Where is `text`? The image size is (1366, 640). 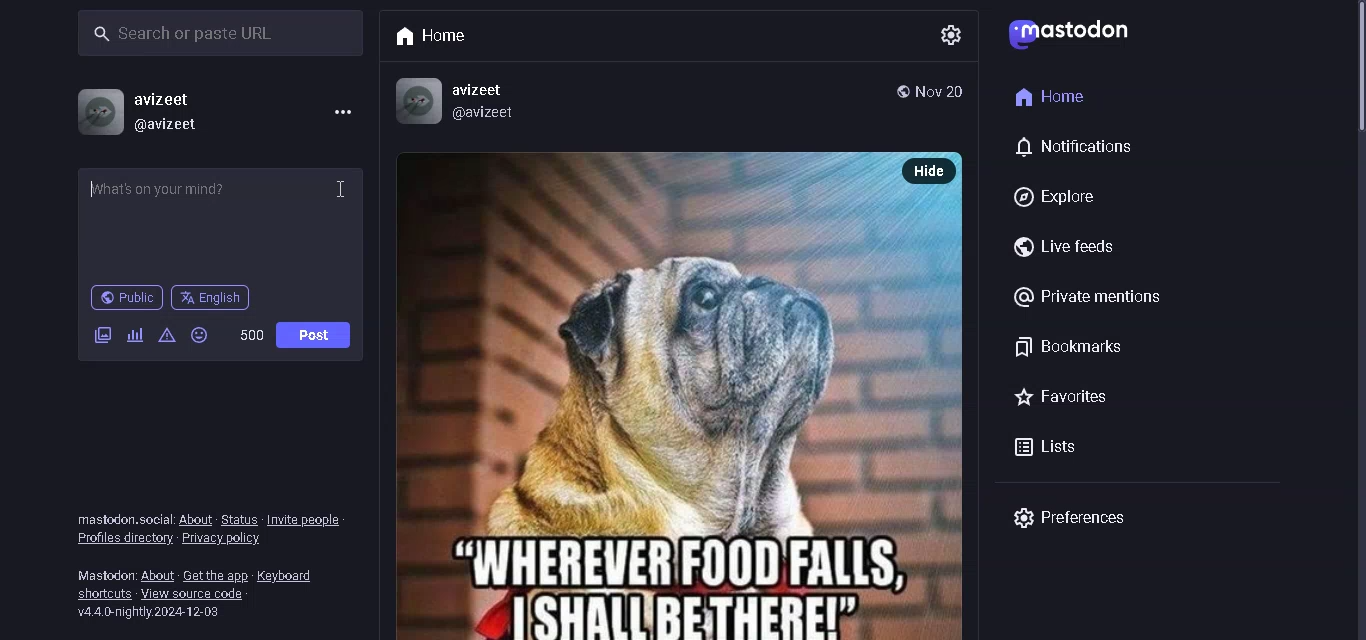
text is located at coordinates (98, 575).